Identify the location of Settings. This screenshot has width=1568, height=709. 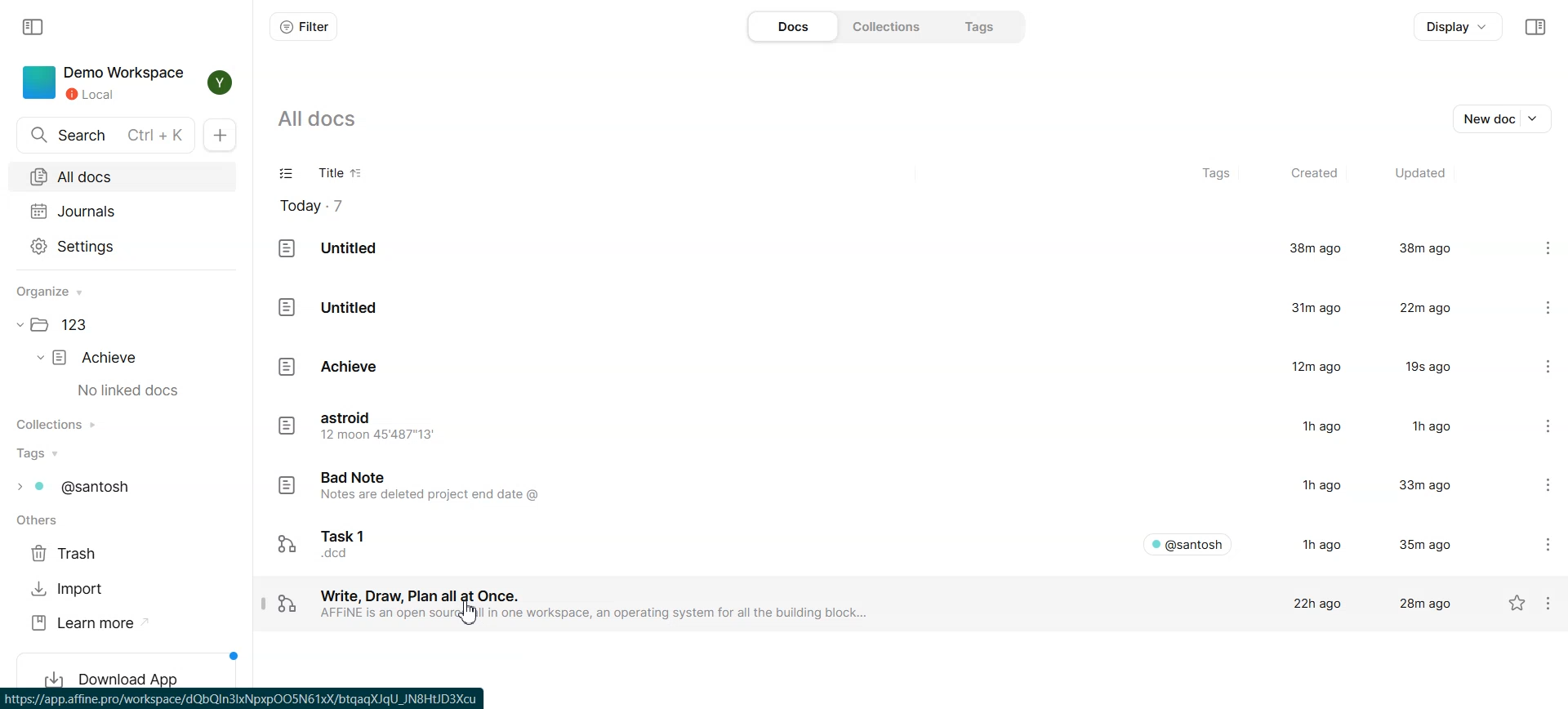
(1537, 488).